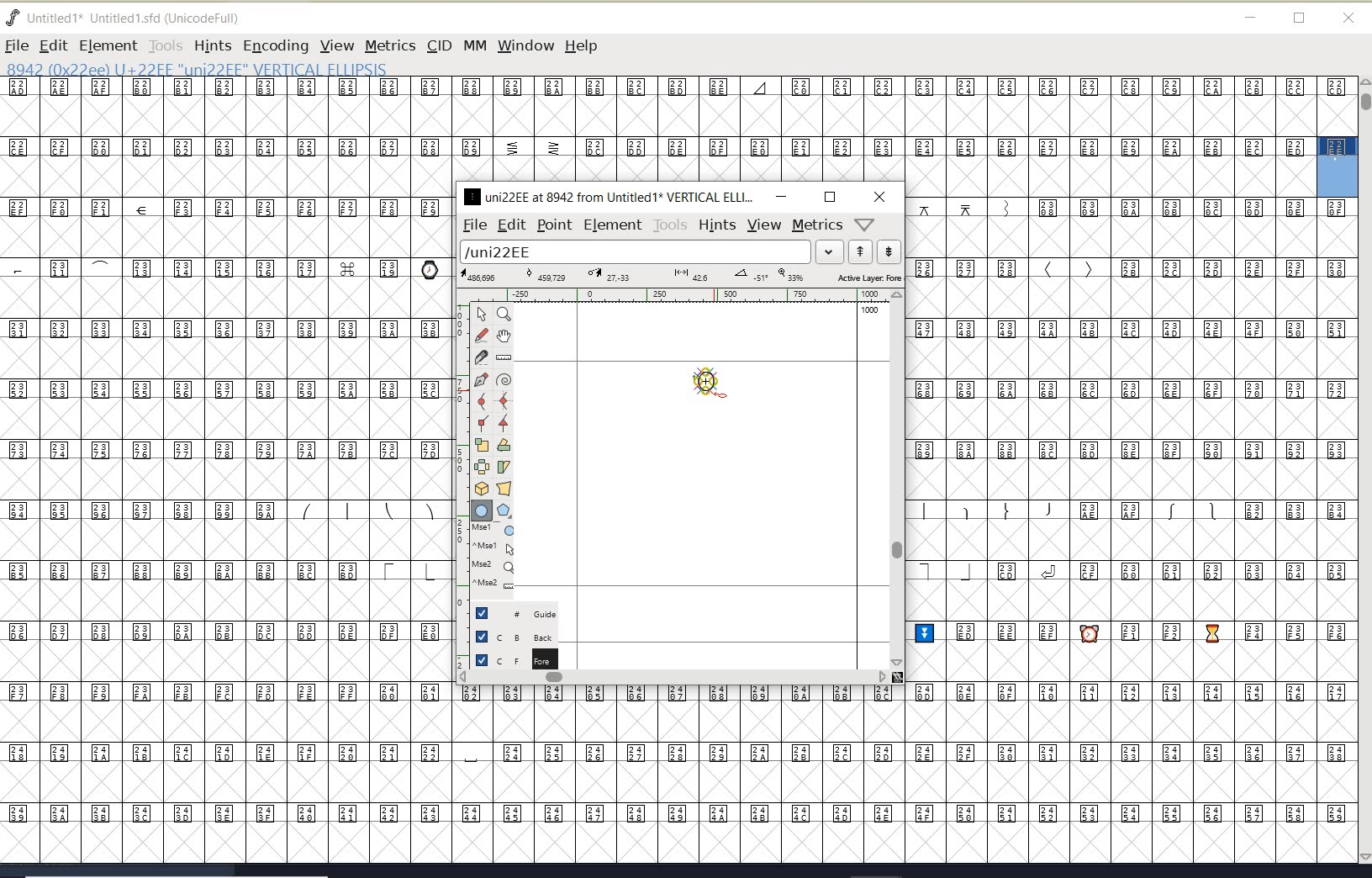 The height and width of the screenshot is (878, 1372). What do you see at coordinates (504, 314) in the screenshot?
I see `magnify` at bounding box center [504, 314].